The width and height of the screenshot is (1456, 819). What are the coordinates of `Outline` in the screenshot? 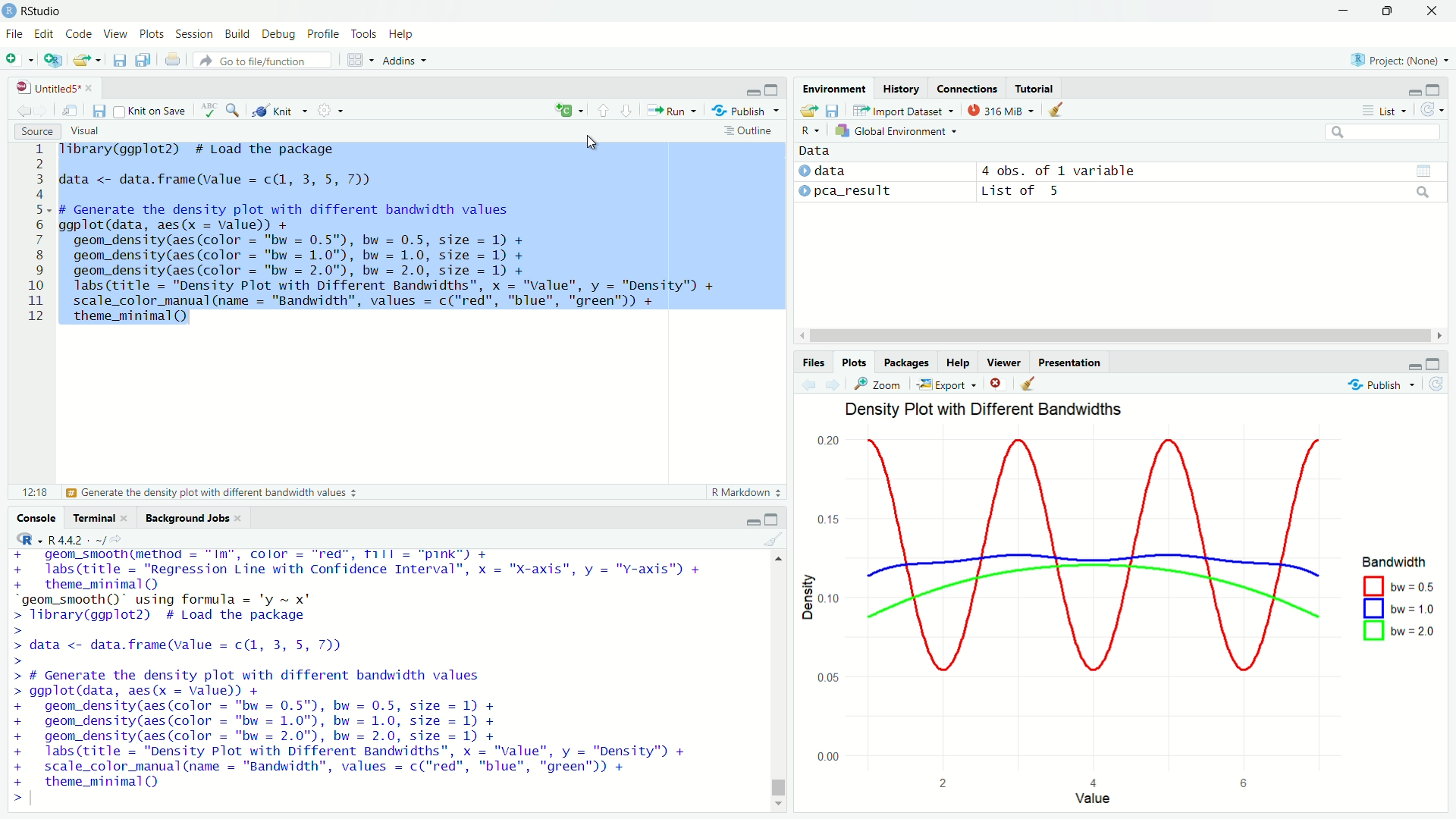 It's located at (752, 130).